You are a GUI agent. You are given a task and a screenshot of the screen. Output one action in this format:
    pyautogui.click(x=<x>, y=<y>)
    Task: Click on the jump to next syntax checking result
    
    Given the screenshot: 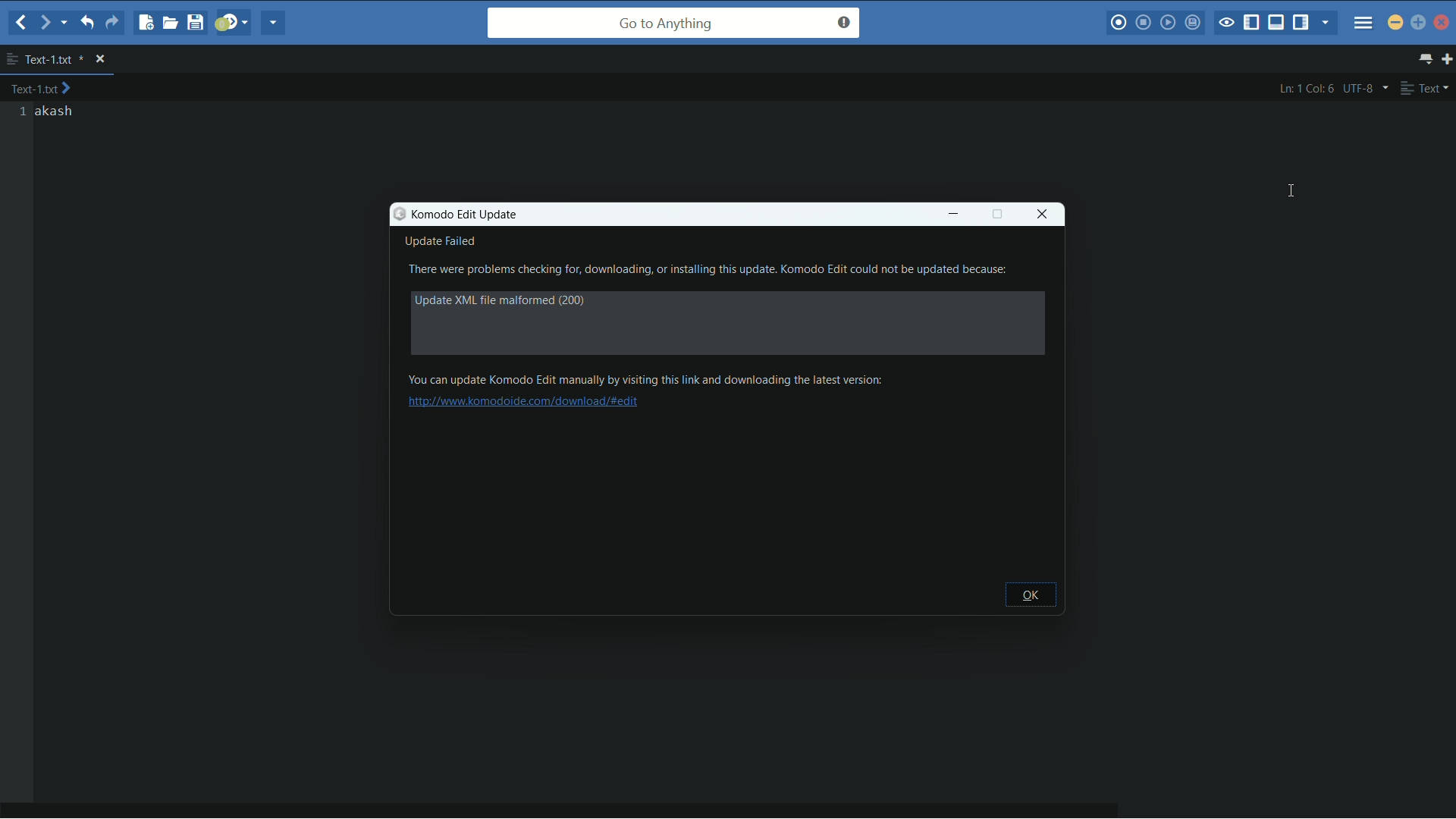 What is the action you would take?
    pyautogui.click(x=234, y=23)
    